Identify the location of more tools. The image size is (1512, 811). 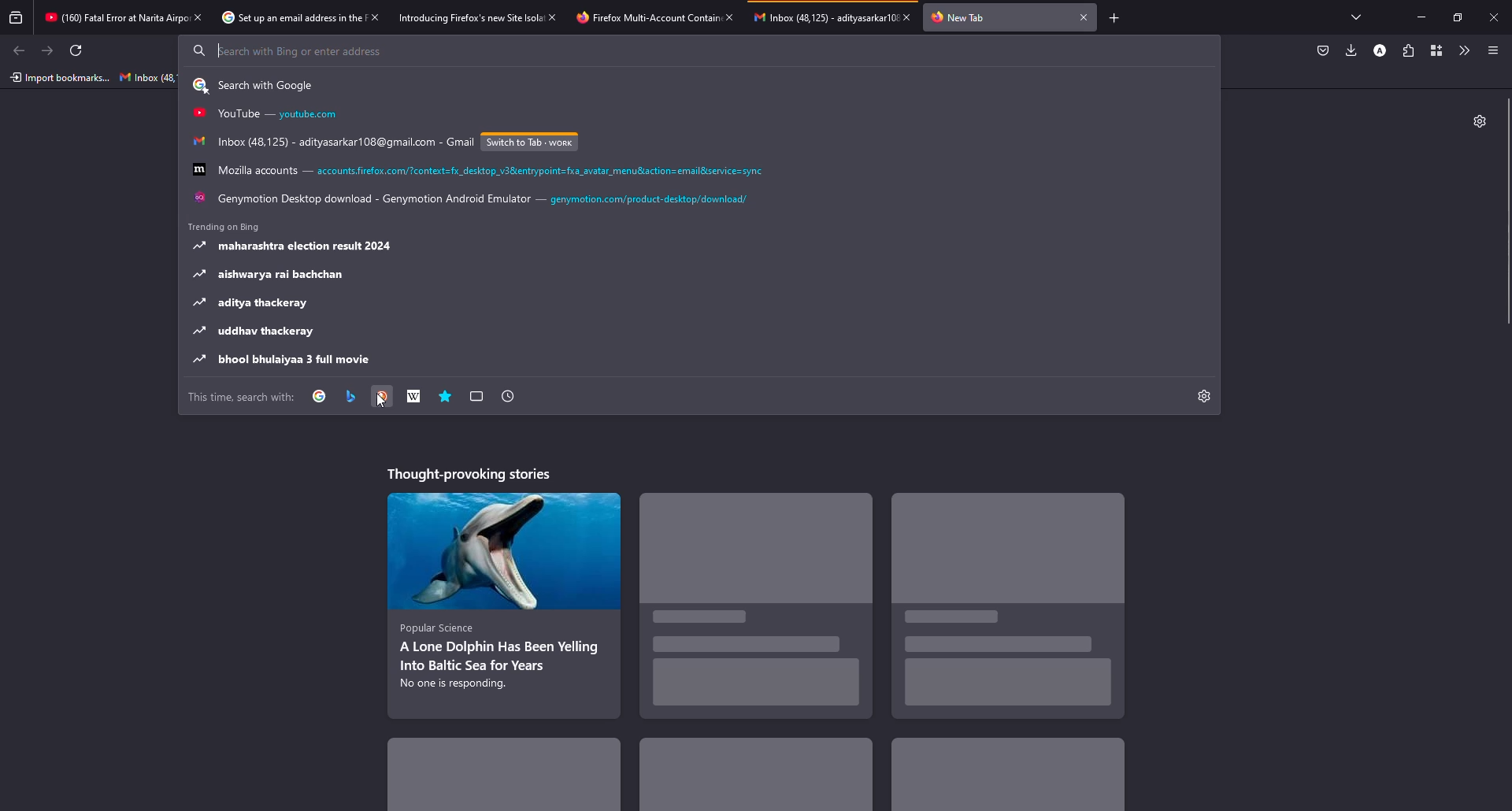
(1462, 50).